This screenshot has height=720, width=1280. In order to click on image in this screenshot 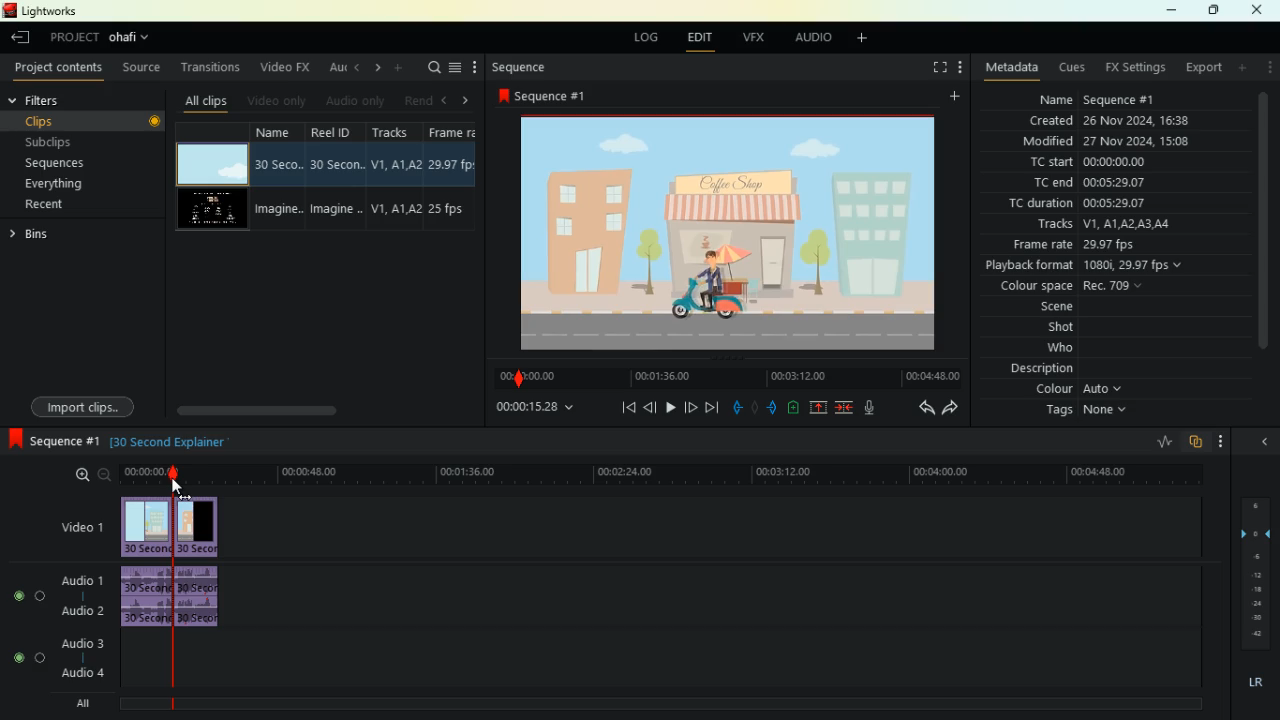, I will do `click(198, 528)`.